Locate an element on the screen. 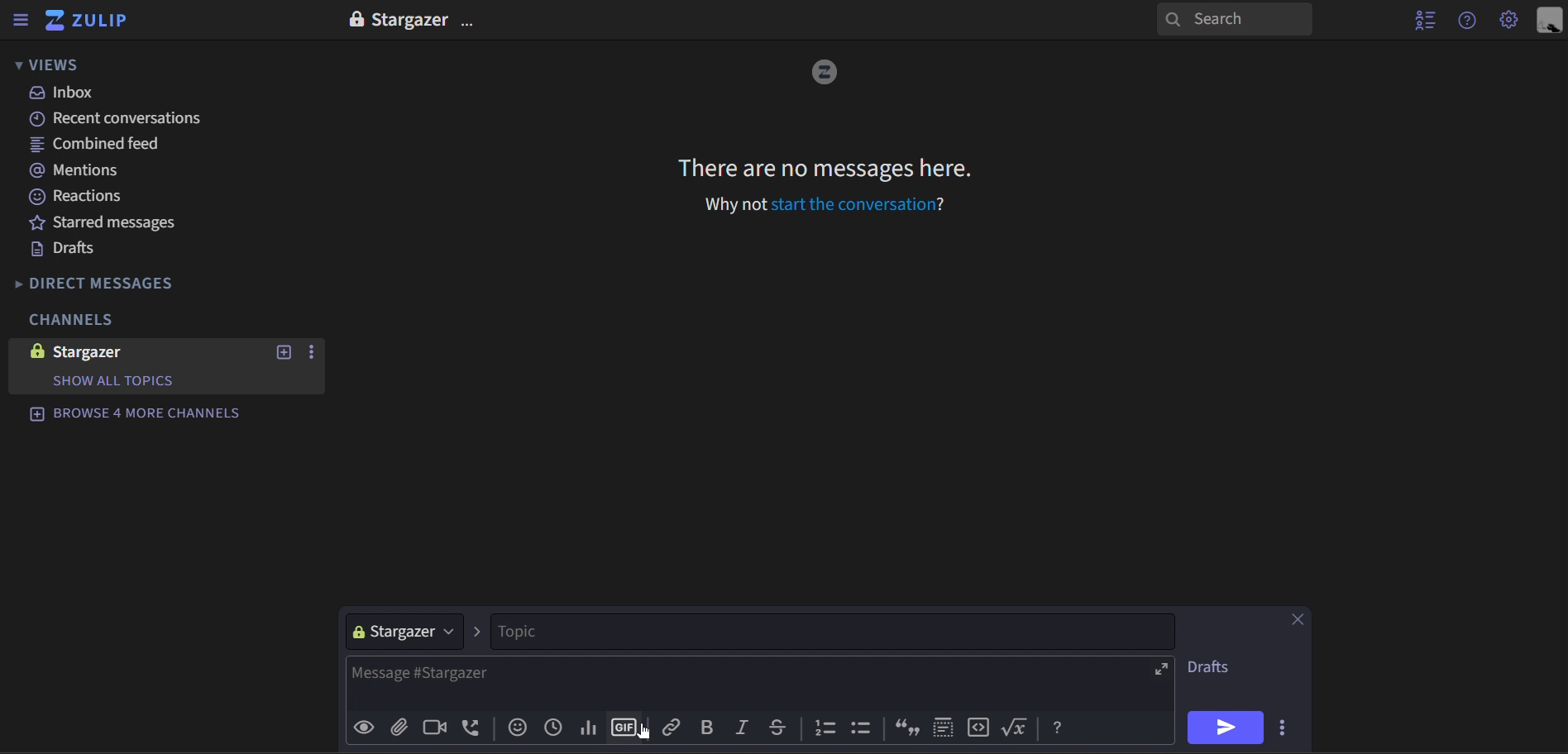 The width and height of the screenshot is (1568, 754). hide sidebar is located at coordinates (21, 21).